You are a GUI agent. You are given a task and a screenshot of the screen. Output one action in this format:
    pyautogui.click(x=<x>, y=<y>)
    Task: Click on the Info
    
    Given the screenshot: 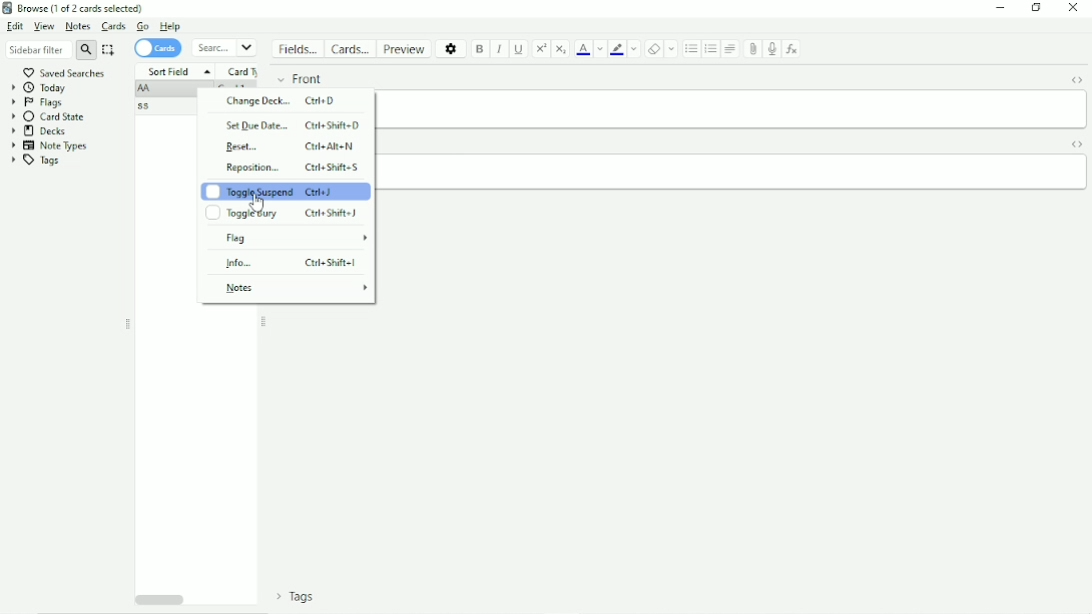 What is the action you would take?
    pyautogui.click(x=293, y=262)
    